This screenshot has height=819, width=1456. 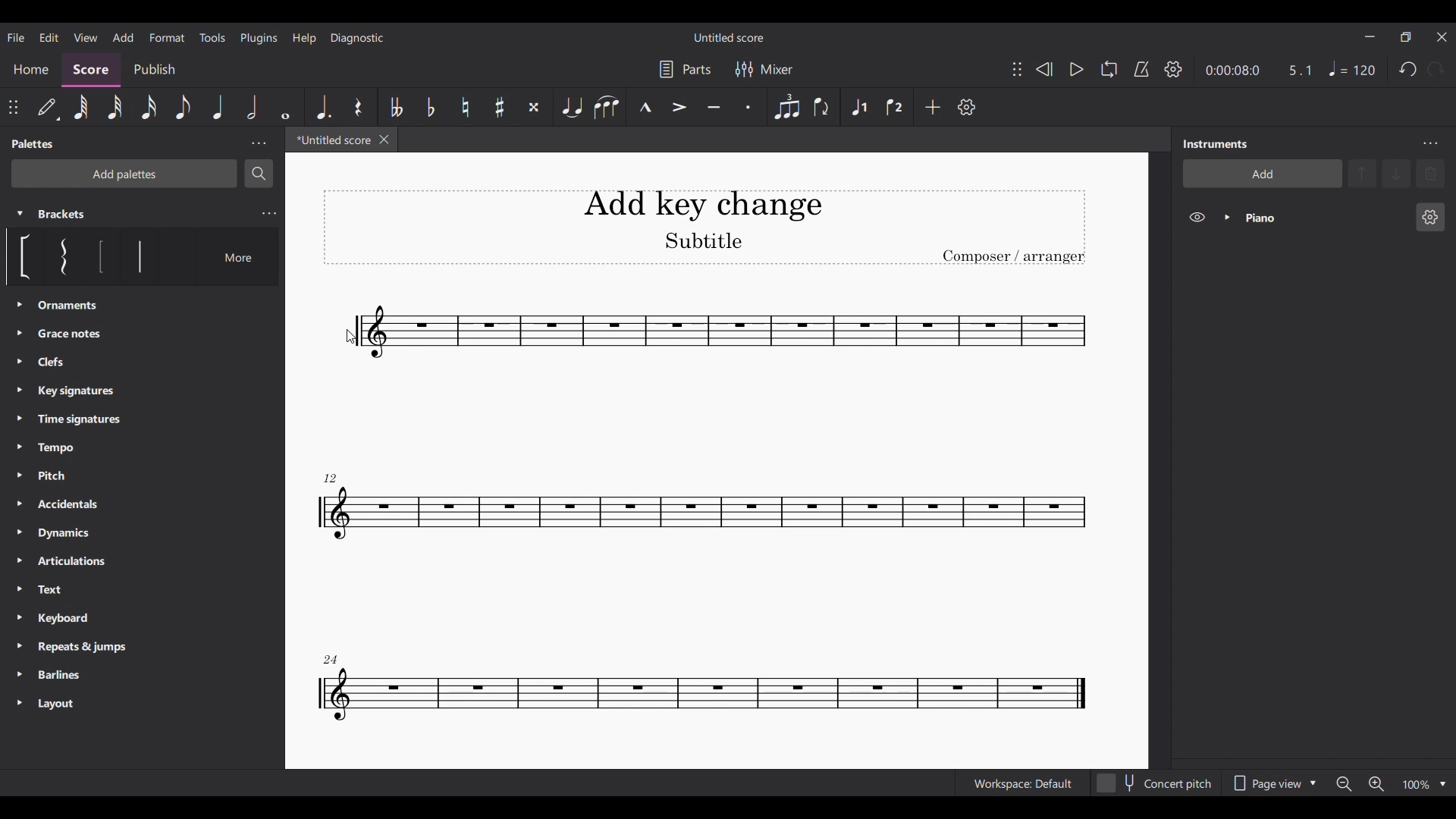 What do you see at coordinates (1258, 70) in the screenshot?
I see `Duration and ratio of current score` at bounding box center [1258, 70].